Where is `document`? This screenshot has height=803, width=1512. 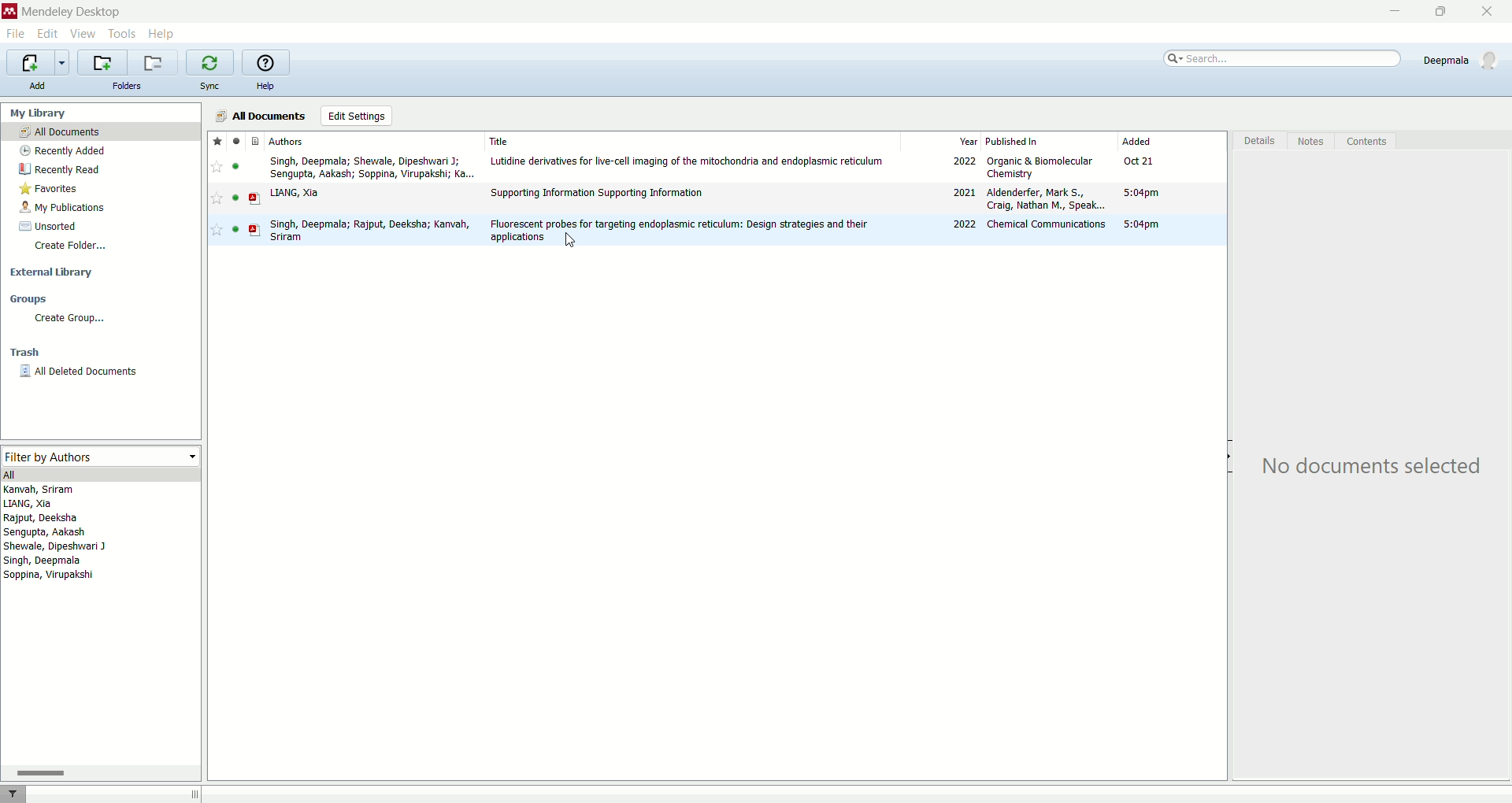
document is located at coordinates (254, 198).